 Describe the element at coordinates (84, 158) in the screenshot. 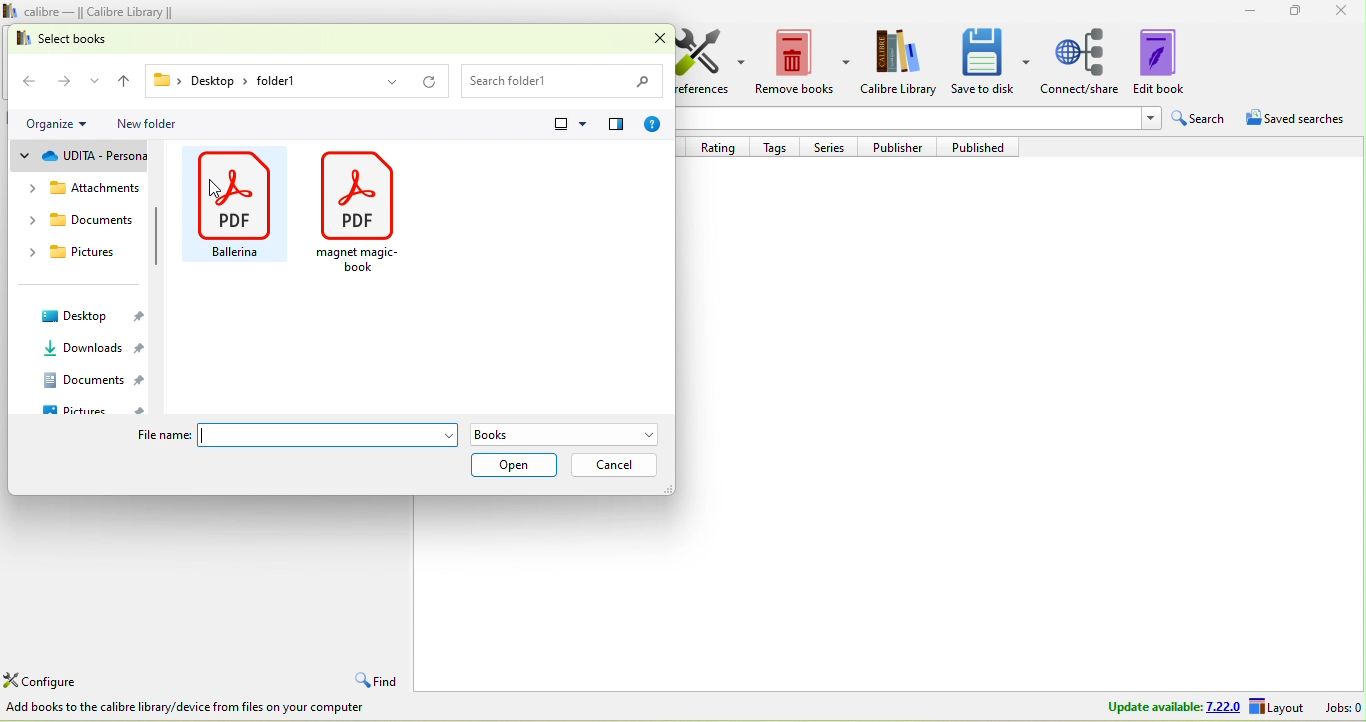

I see `udta-personal` at that location.